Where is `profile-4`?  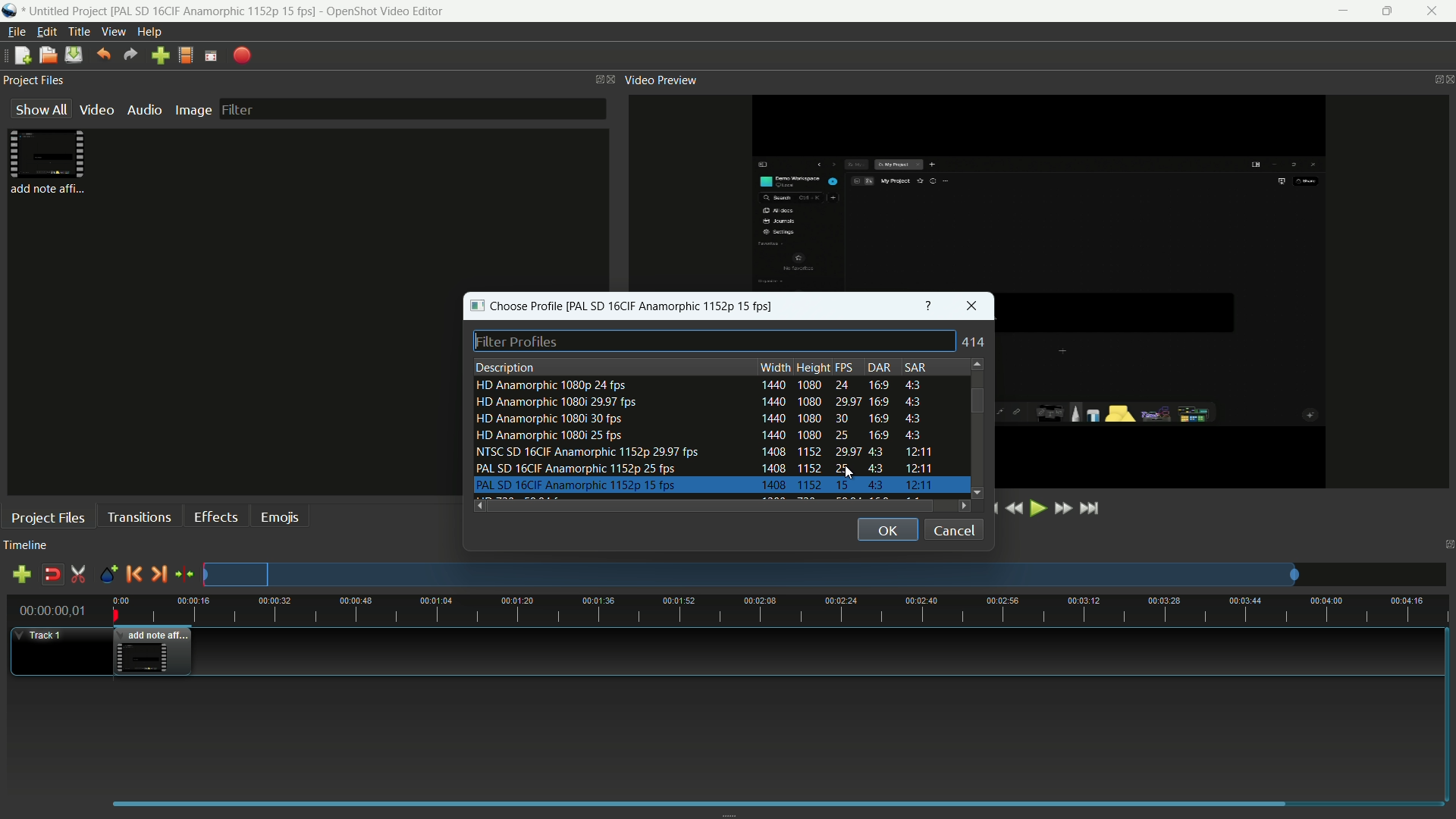
profile-4 is located at coordinates (699, 436).